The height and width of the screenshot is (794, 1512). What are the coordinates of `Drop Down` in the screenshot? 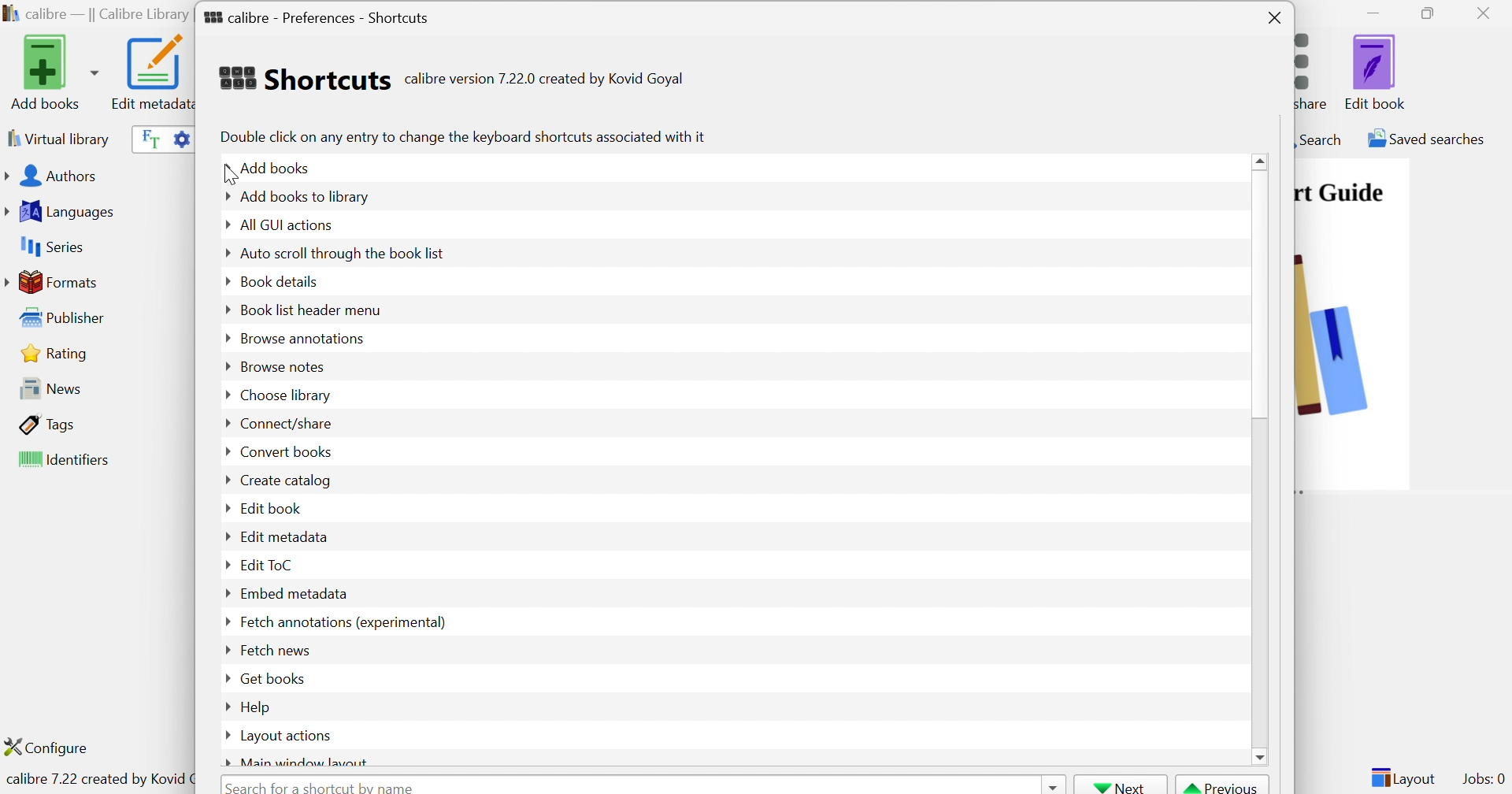 It's located at (222, 280).